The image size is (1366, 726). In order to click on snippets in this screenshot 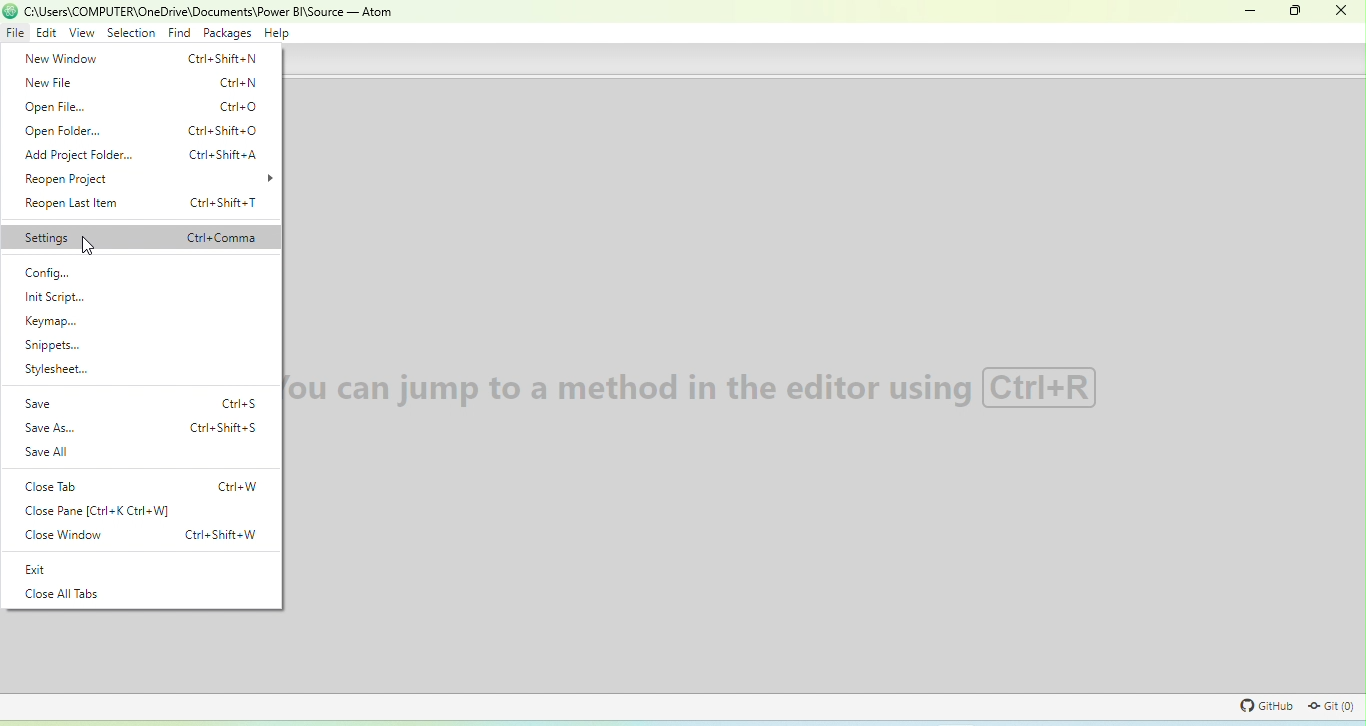, I will do `click(52, 345)`.